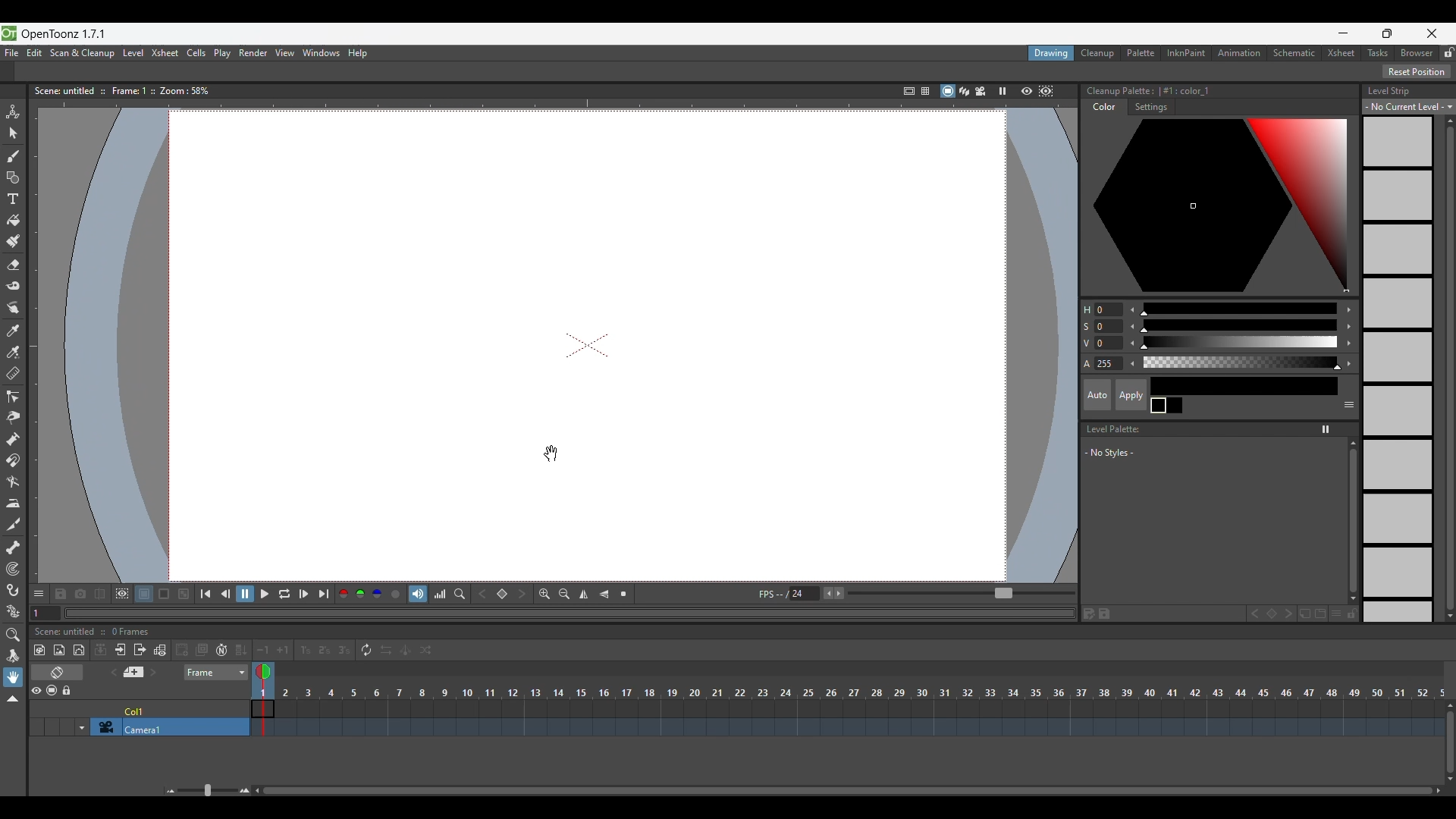  I want to click on Brush tool, so click(13, 155).